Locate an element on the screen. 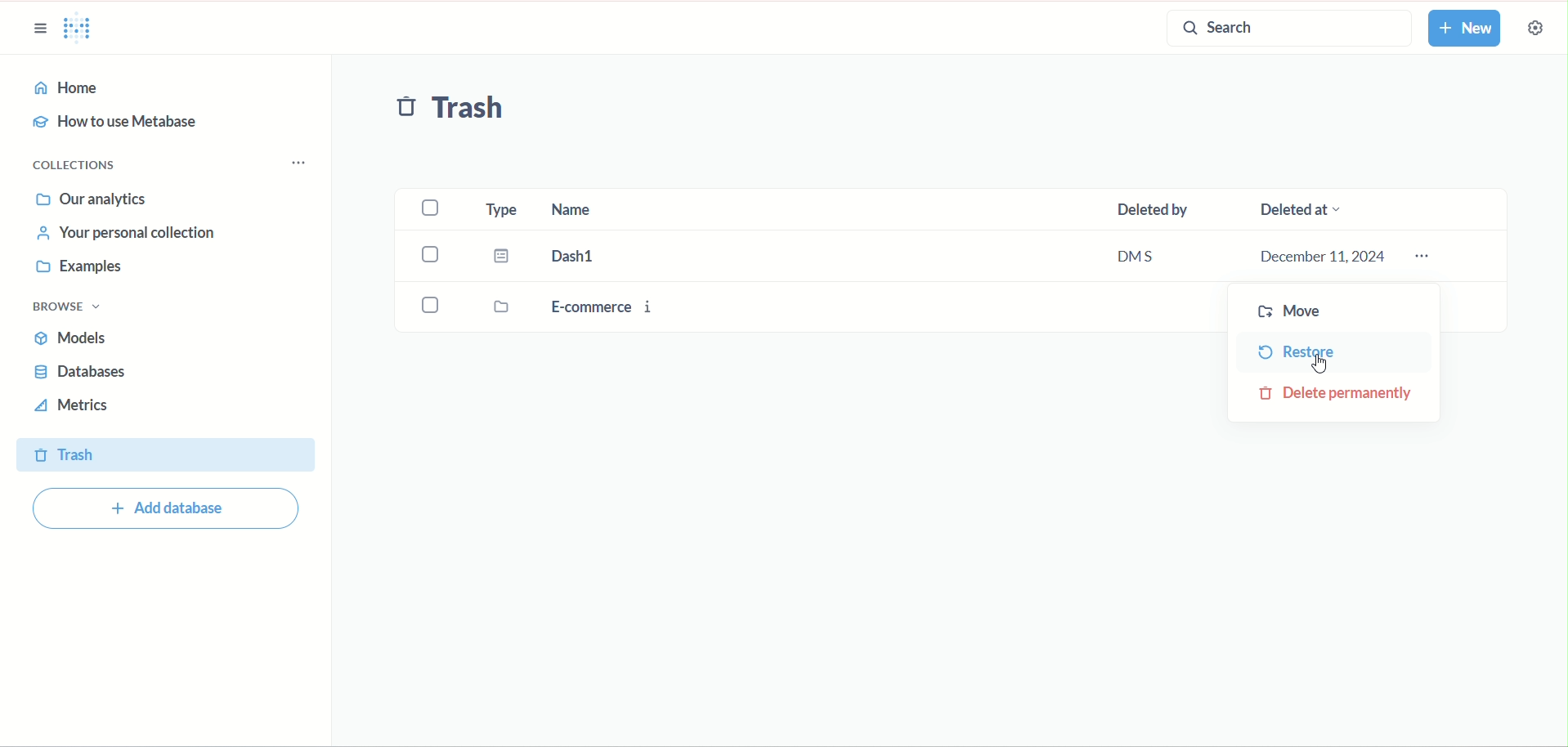 This screenshot has height=747, width=1568. our annalytics is located at coordinates (96, 198).